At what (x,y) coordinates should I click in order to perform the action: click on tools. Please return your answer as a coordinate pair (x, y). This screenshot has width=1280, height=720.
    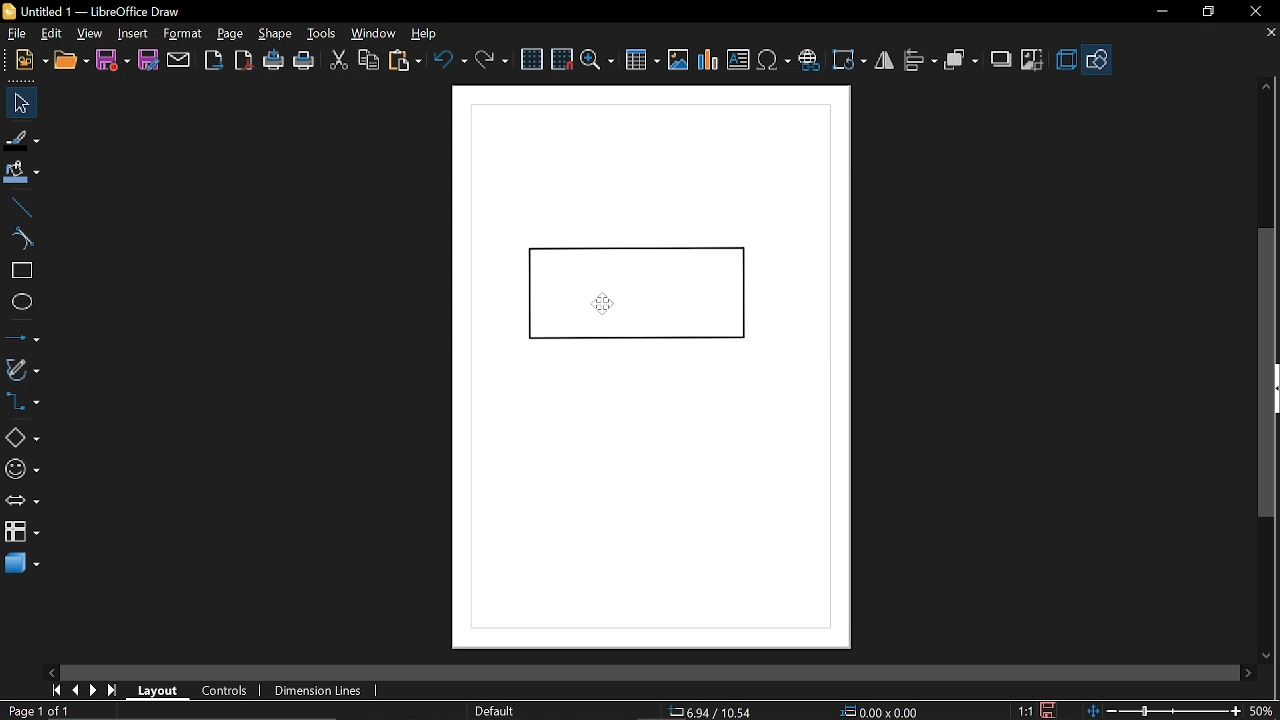
    Looking at the image, I should click on (323, 34).